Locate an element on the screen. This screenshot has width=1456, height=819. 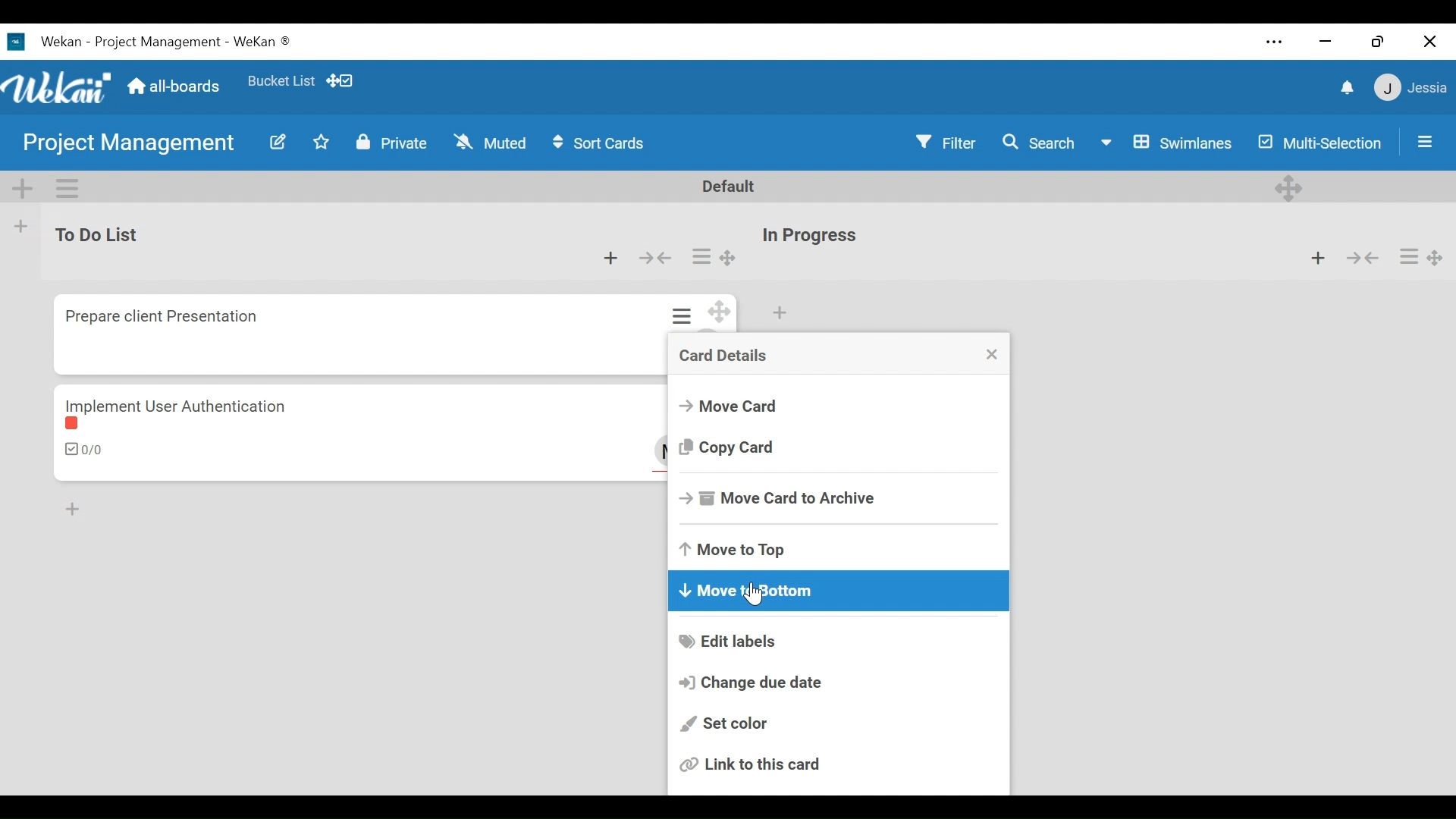
Favorites is located at coordinates (281, 81).